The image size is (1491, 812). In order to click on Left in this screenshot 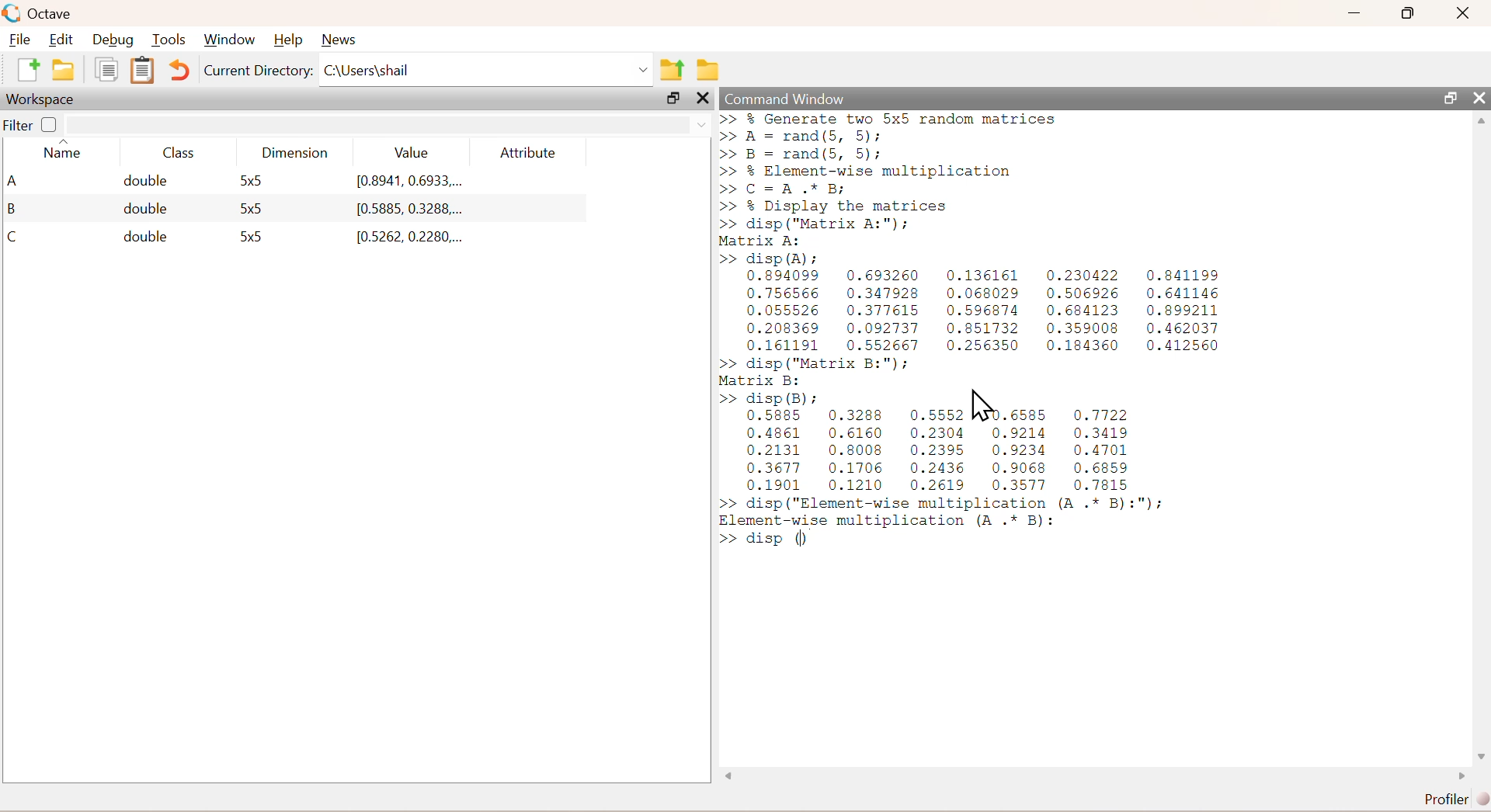, I will do `click(727, 774)`.